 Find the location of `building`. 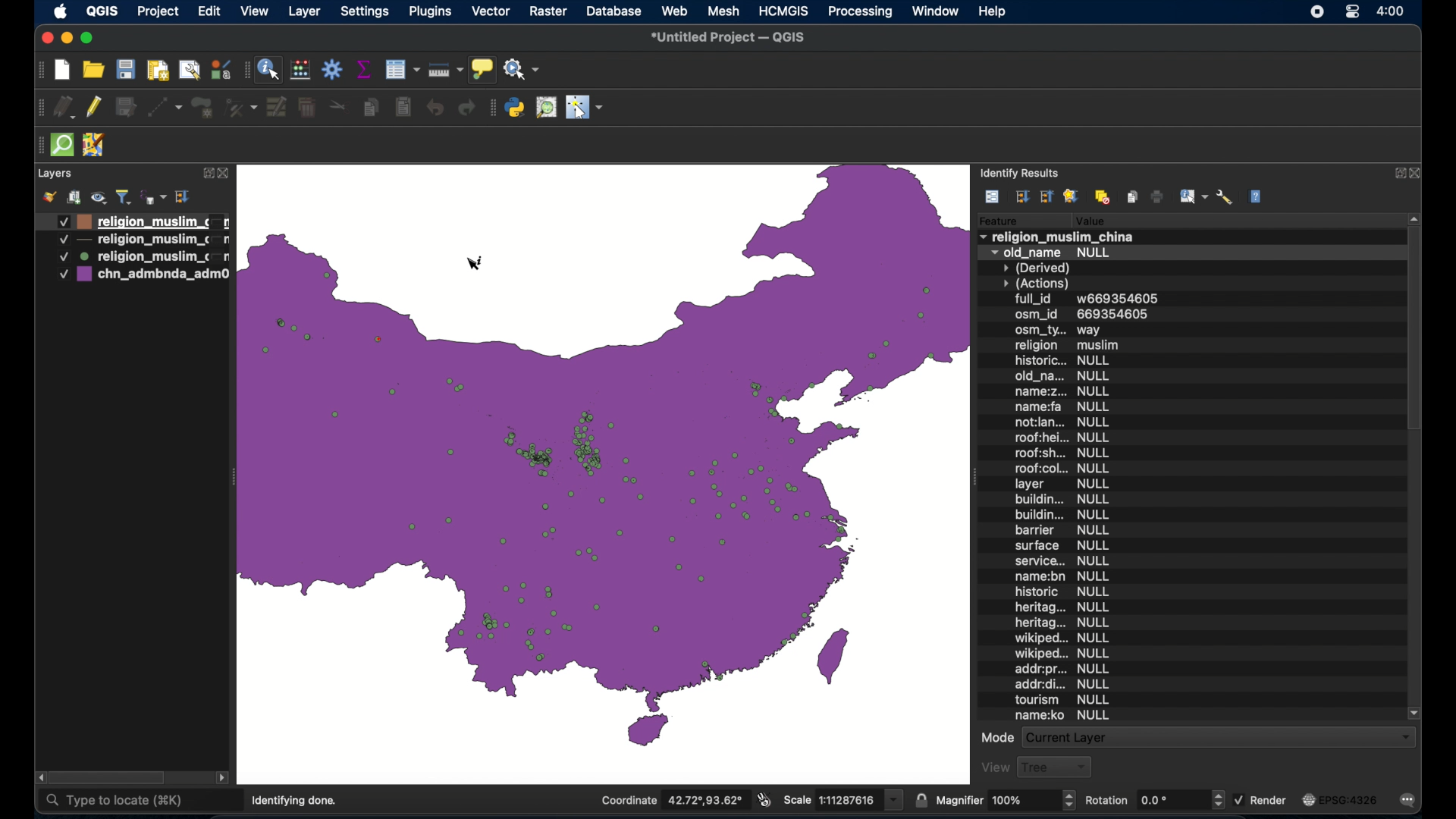

building is located at coordinates (1065, 514).